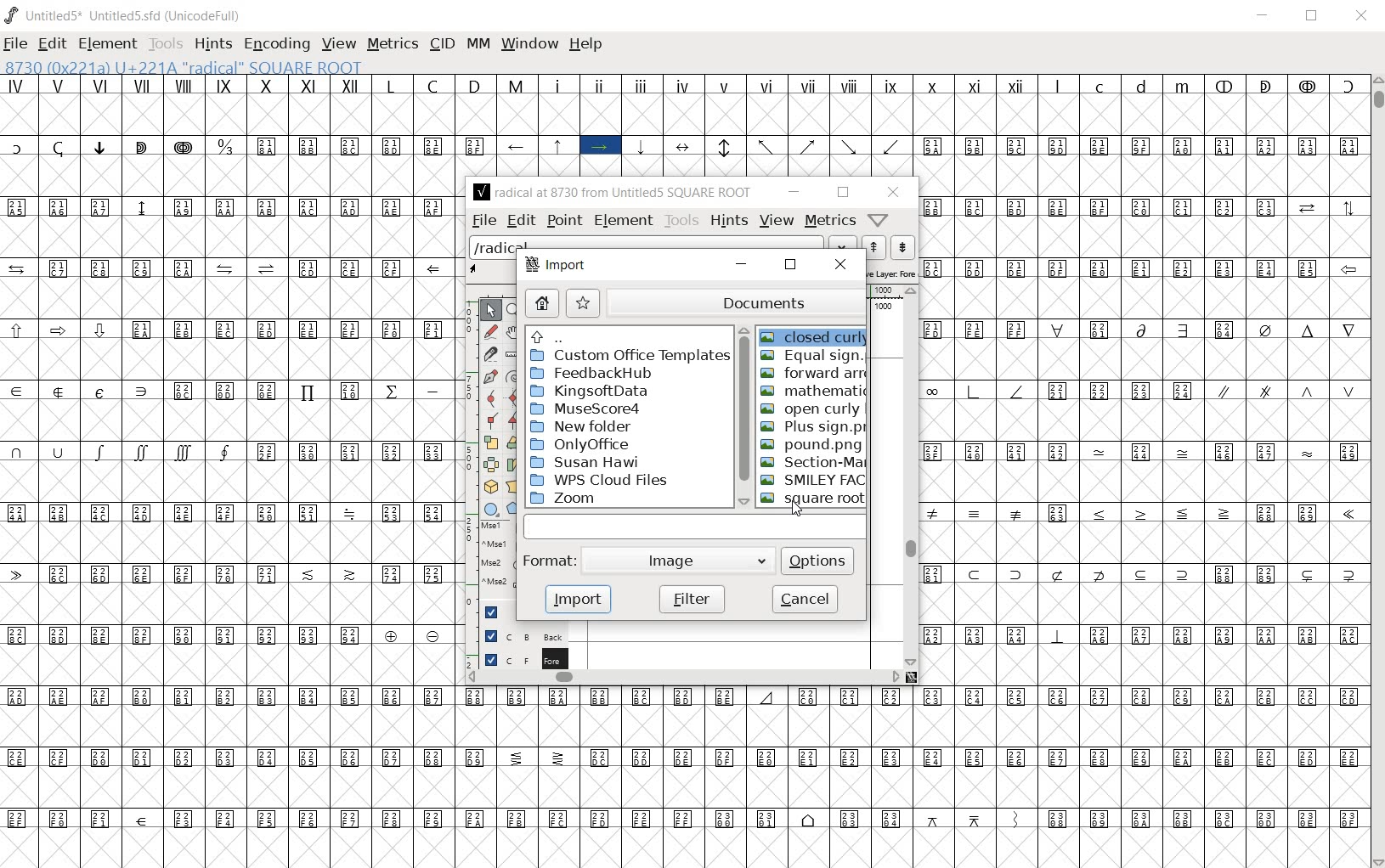  Describe the element at coordinates (584, 302) in the screenshot. I see `star` at that location.